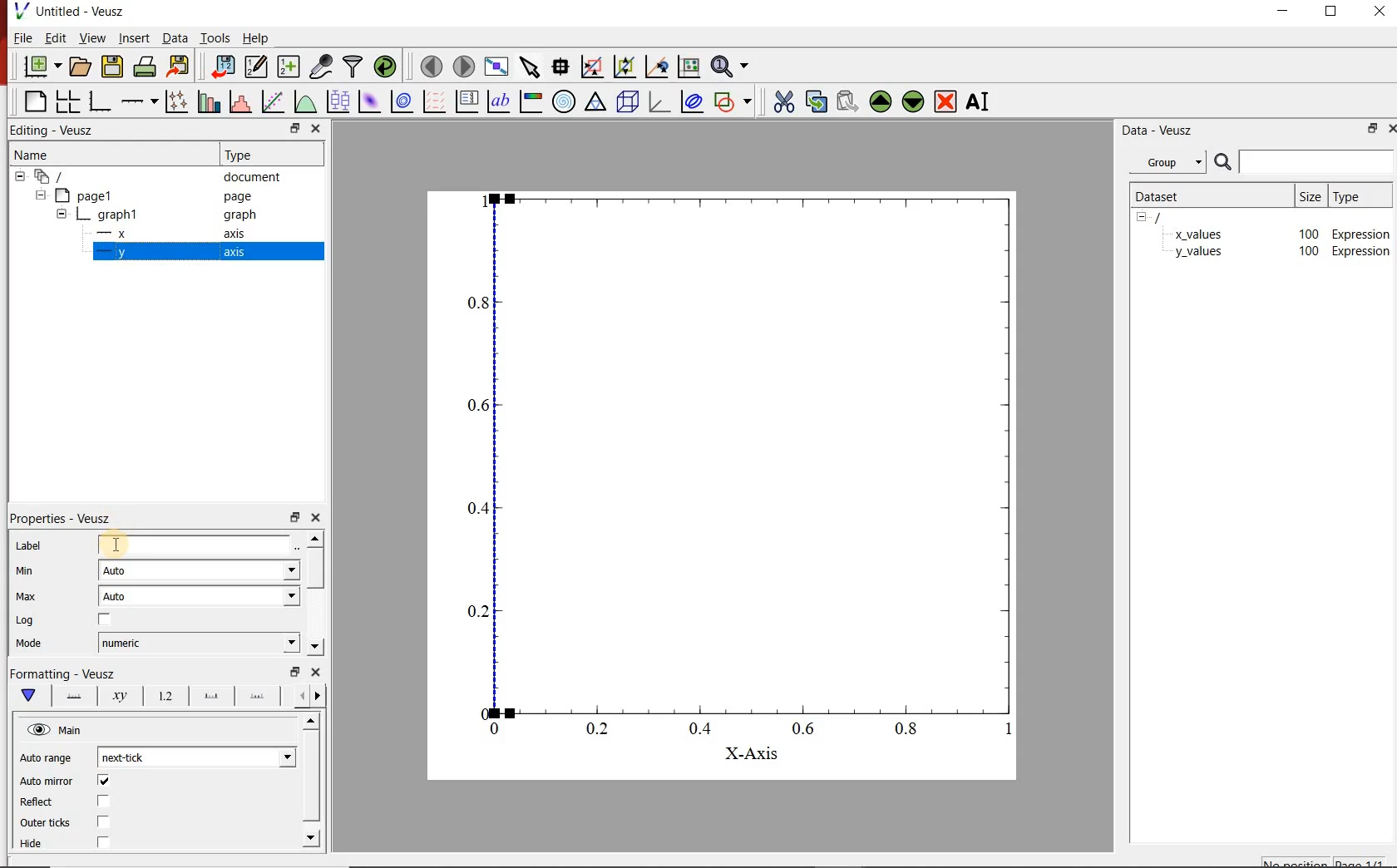  What do you see at coordinates (16, 11) in the screenshot?
I see `veusz logo` at bounding box center [16, 11].